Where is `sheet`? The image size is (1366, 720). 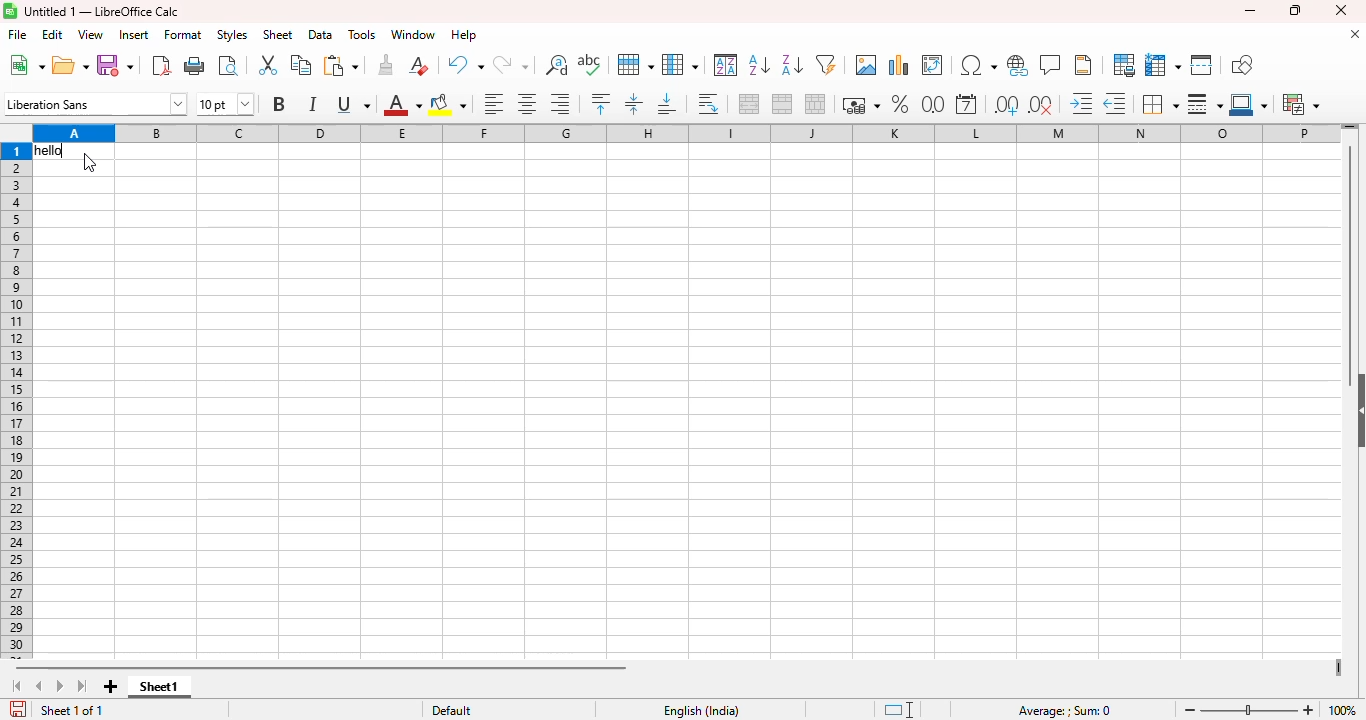
sheet is located at coordinates (278, 34).